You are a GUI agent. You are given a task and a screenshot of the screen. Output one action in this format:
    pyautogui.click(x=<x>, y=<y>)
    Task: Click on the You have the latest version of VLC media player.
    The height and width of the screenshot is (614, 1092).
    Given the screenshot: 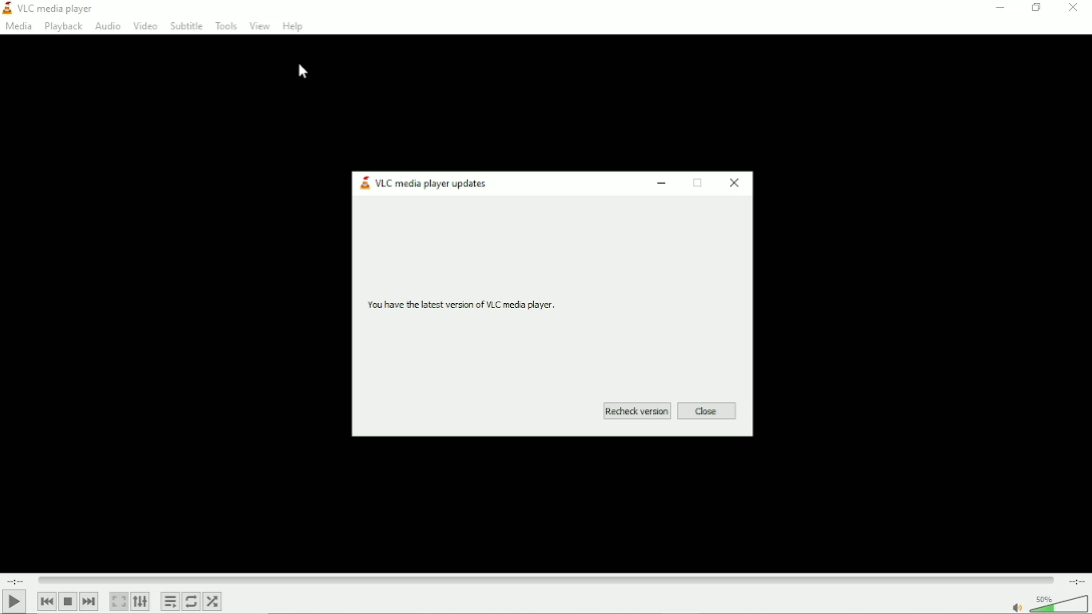 What is the action you would take?
    pyautogui.click(x=460, y=304)
    